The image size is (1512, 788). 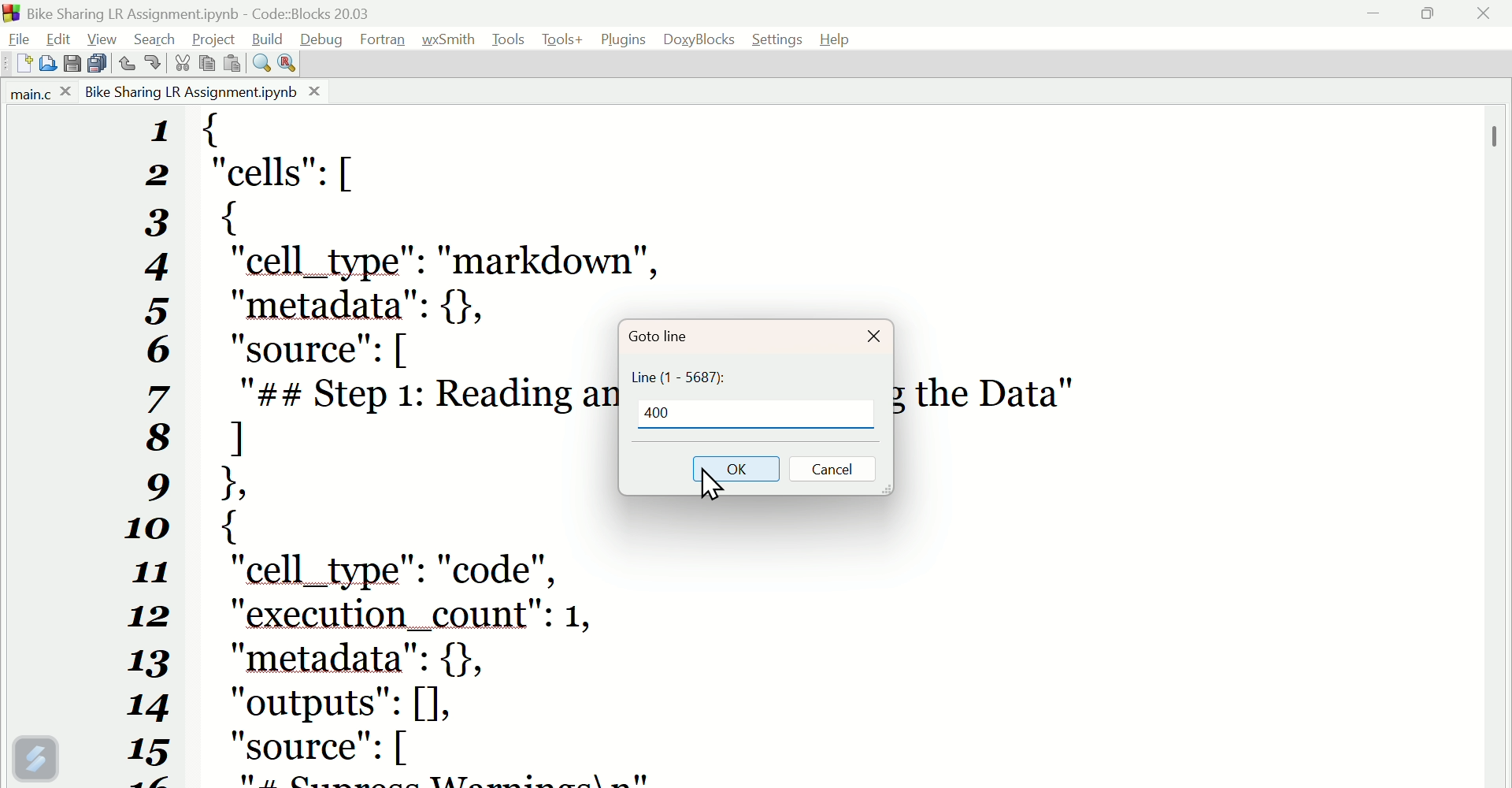 I want to click on Find, so click(x=258, y=62).